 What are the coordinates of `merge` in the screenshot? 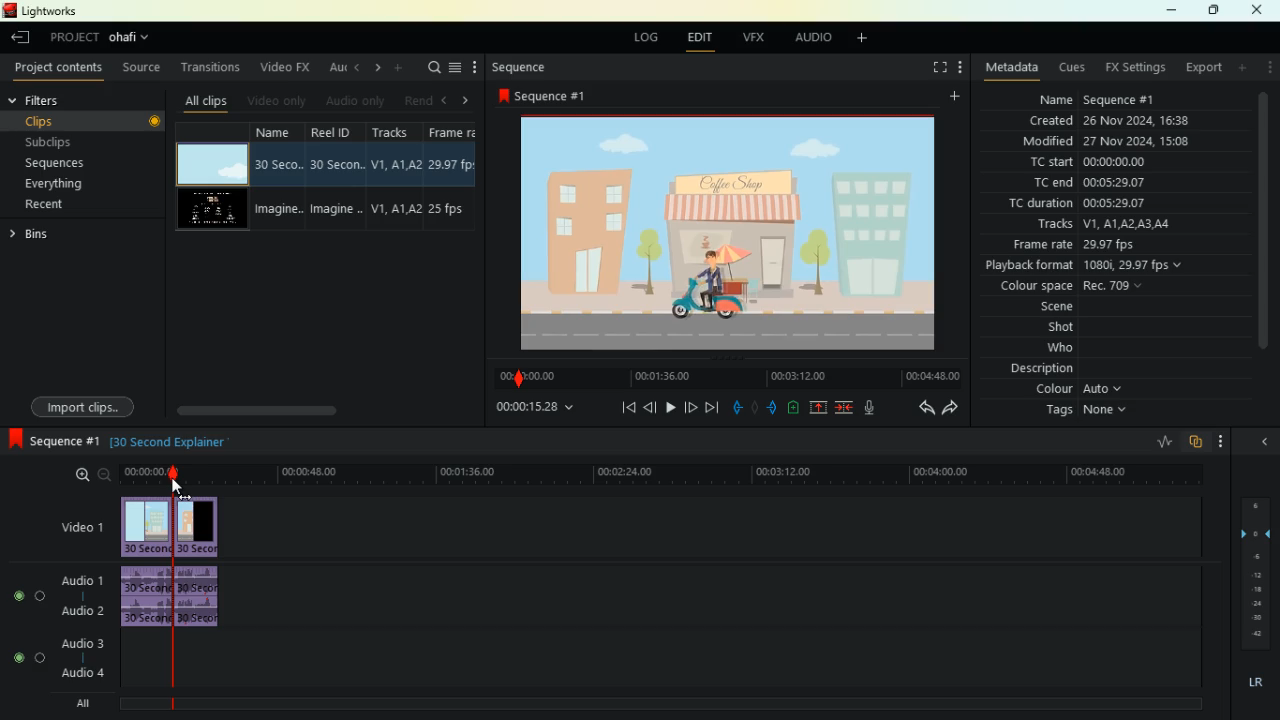 It's located at (846, 408).